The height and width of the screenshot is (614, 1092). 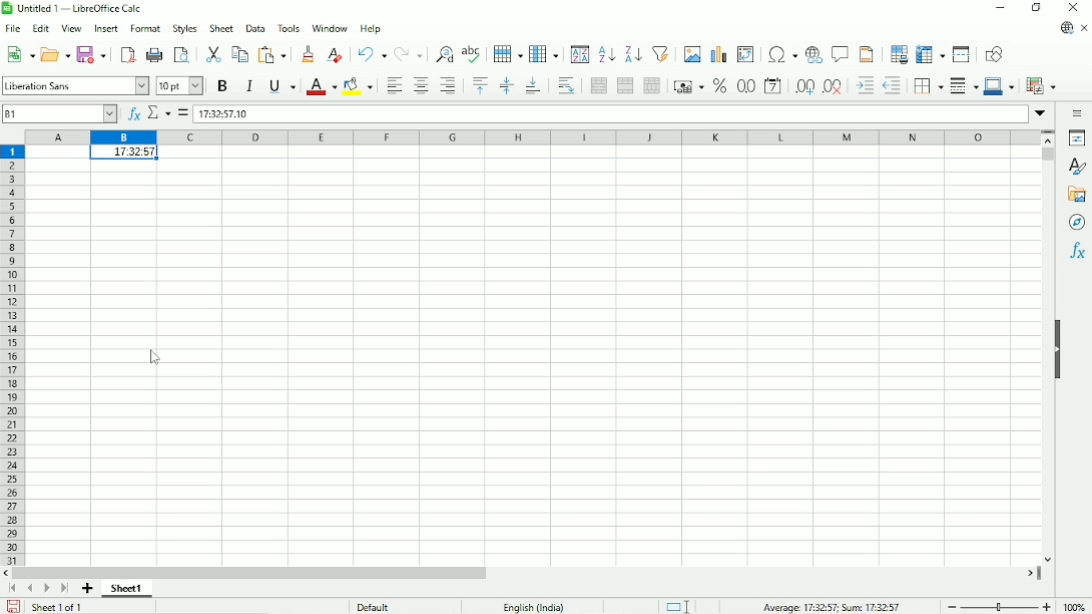 What do you see at coordinates (534, 86) in the screenshot?
I see `Align bottom` at bounding box center [534, 86].